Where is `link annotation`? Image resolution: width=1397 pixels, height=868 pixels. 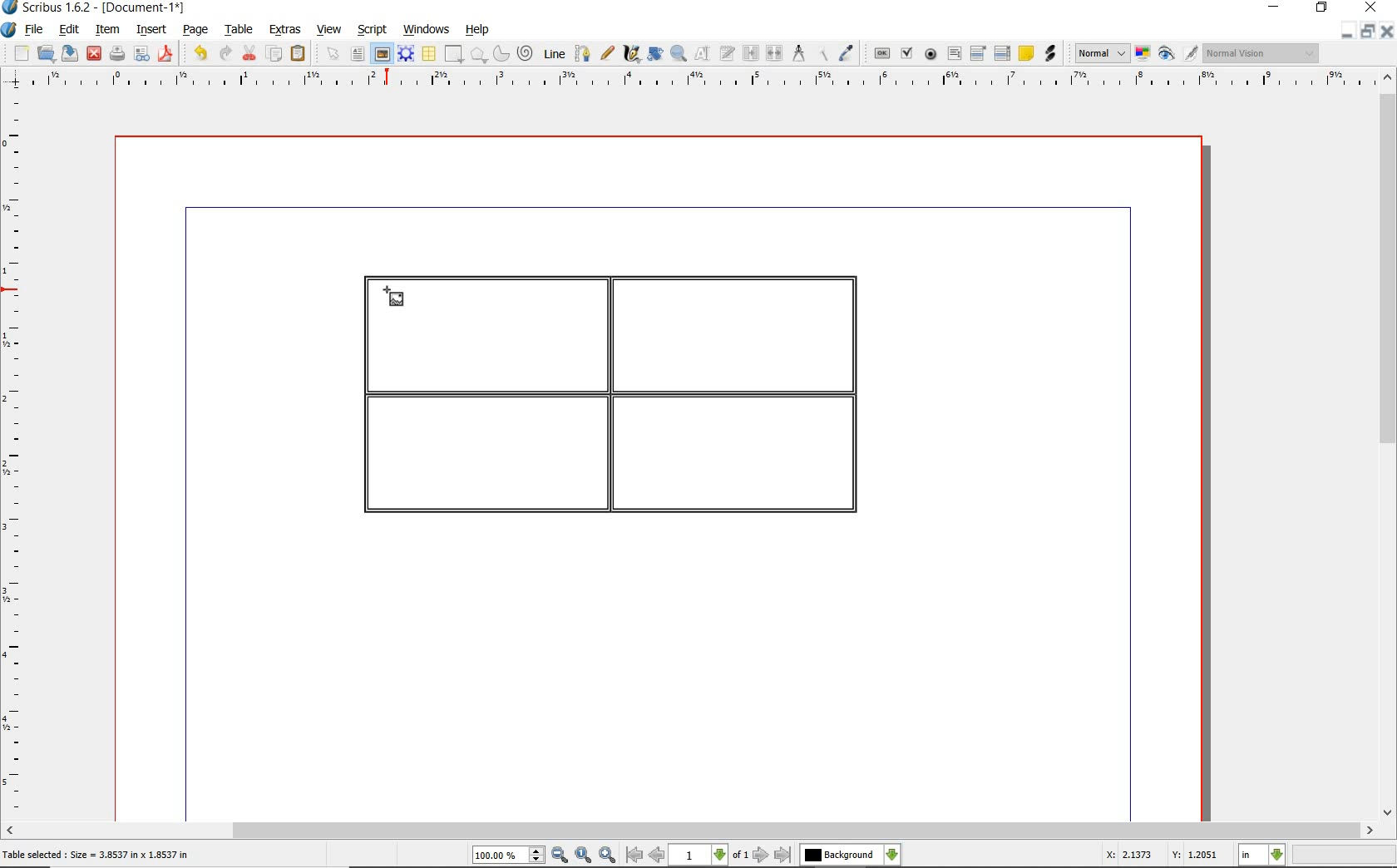
link annotation is located at coordinates (1049, 53).